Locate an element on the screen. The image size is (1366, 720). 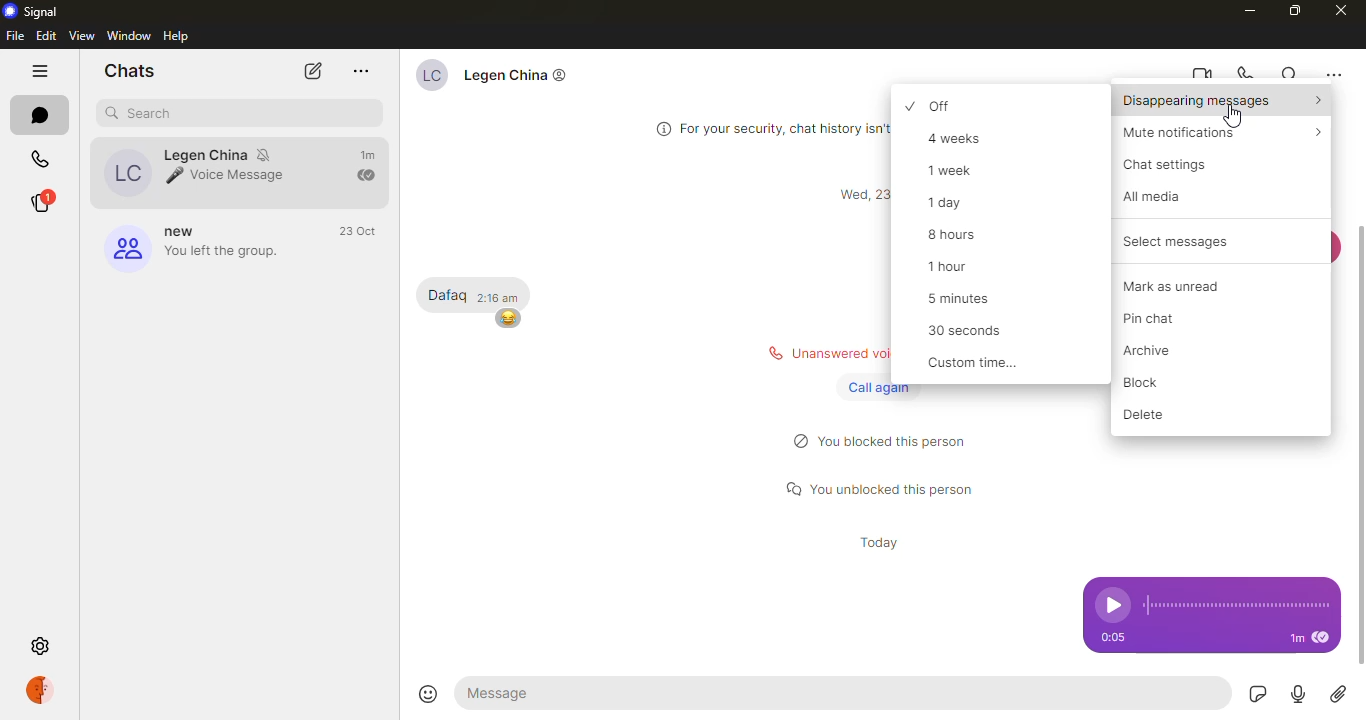
8 hours is located at coordinates (958, 235).